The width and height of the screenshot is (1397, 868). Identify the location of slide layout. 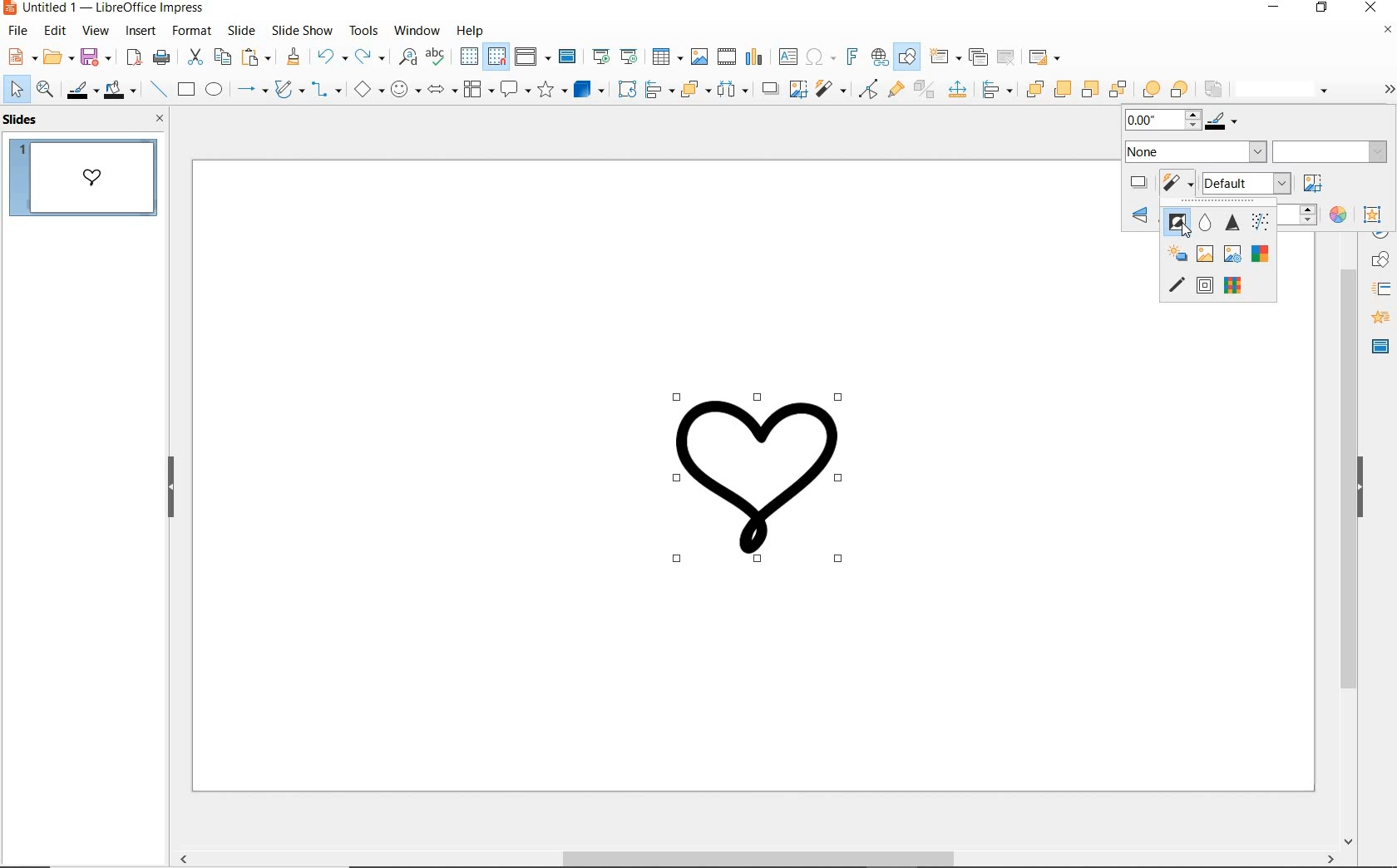
(1046, 57).